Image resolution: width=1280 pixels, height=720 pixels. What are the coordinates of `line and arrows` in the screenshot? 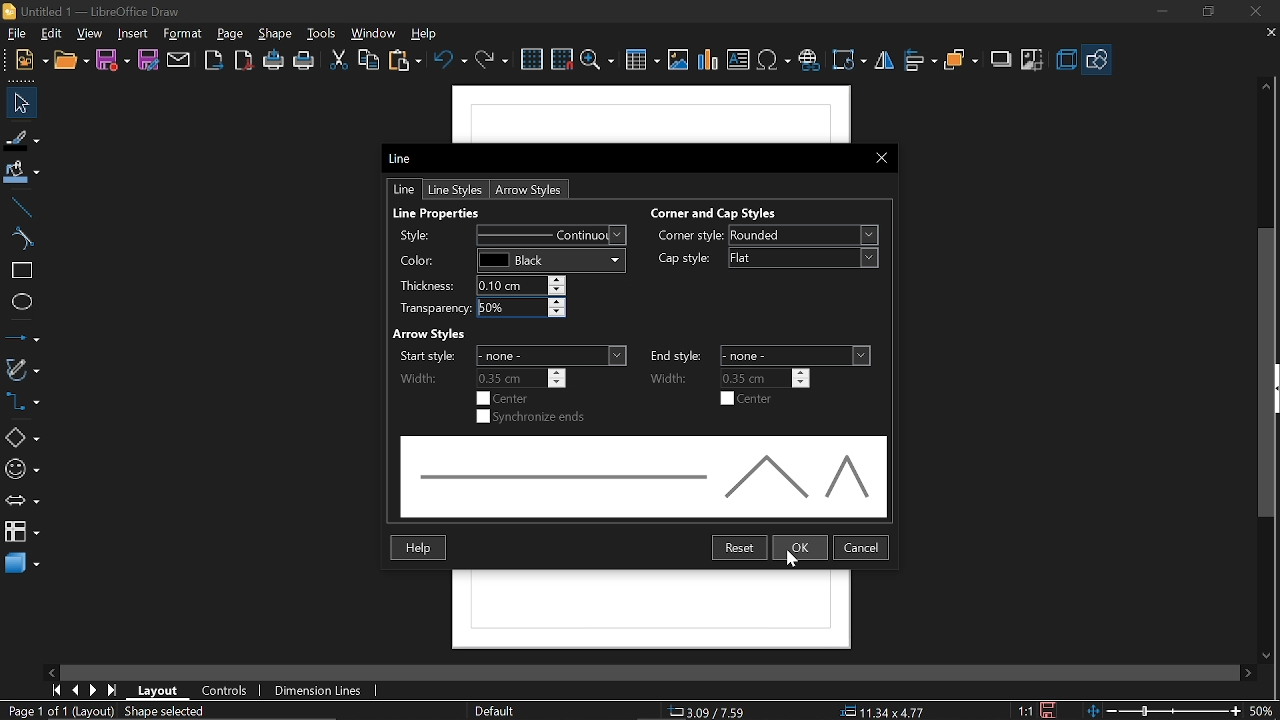 It's located at (22, 336).